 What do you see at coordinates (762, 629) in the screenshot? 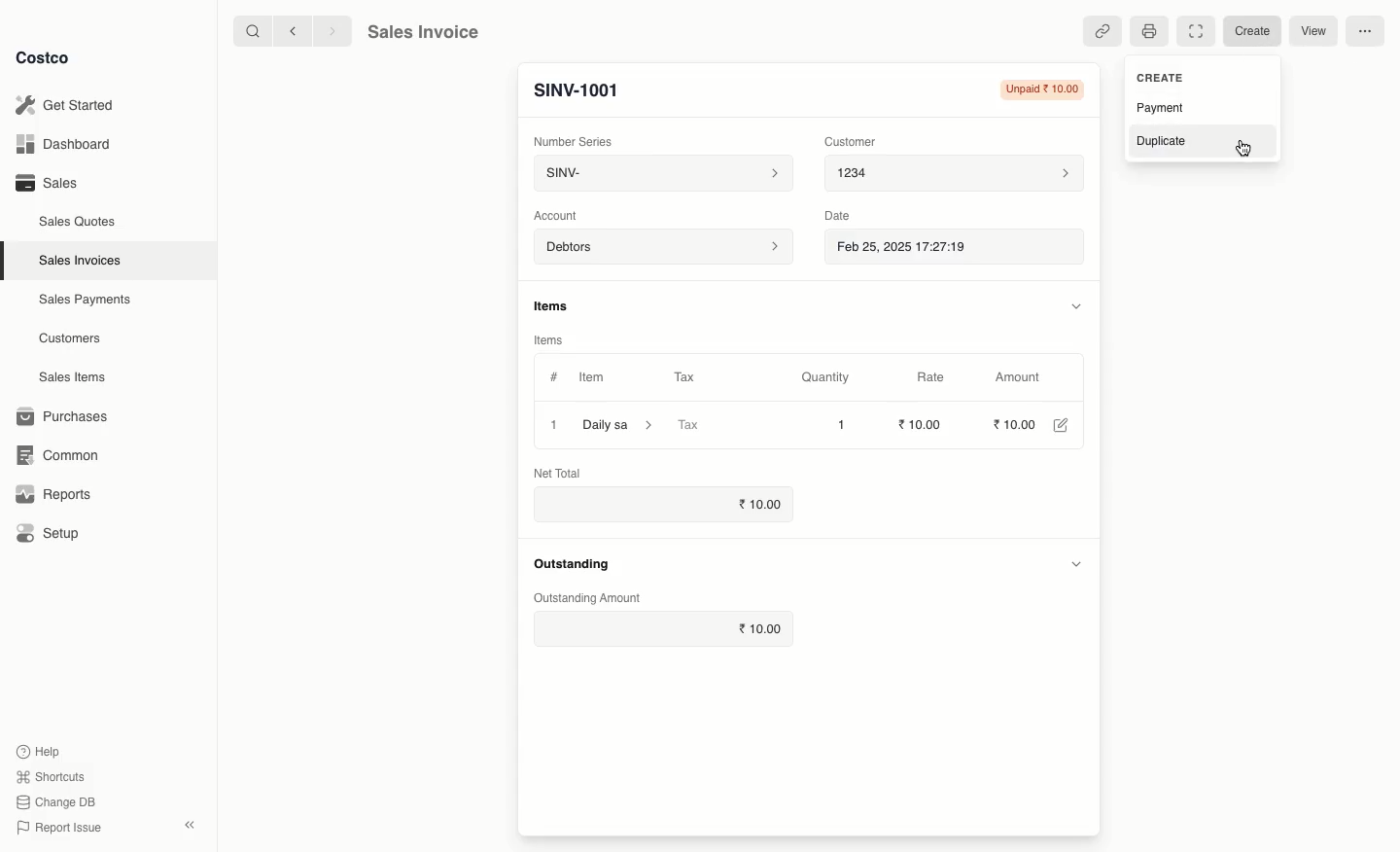
I see `10.00` at bounding box center [762, 629].